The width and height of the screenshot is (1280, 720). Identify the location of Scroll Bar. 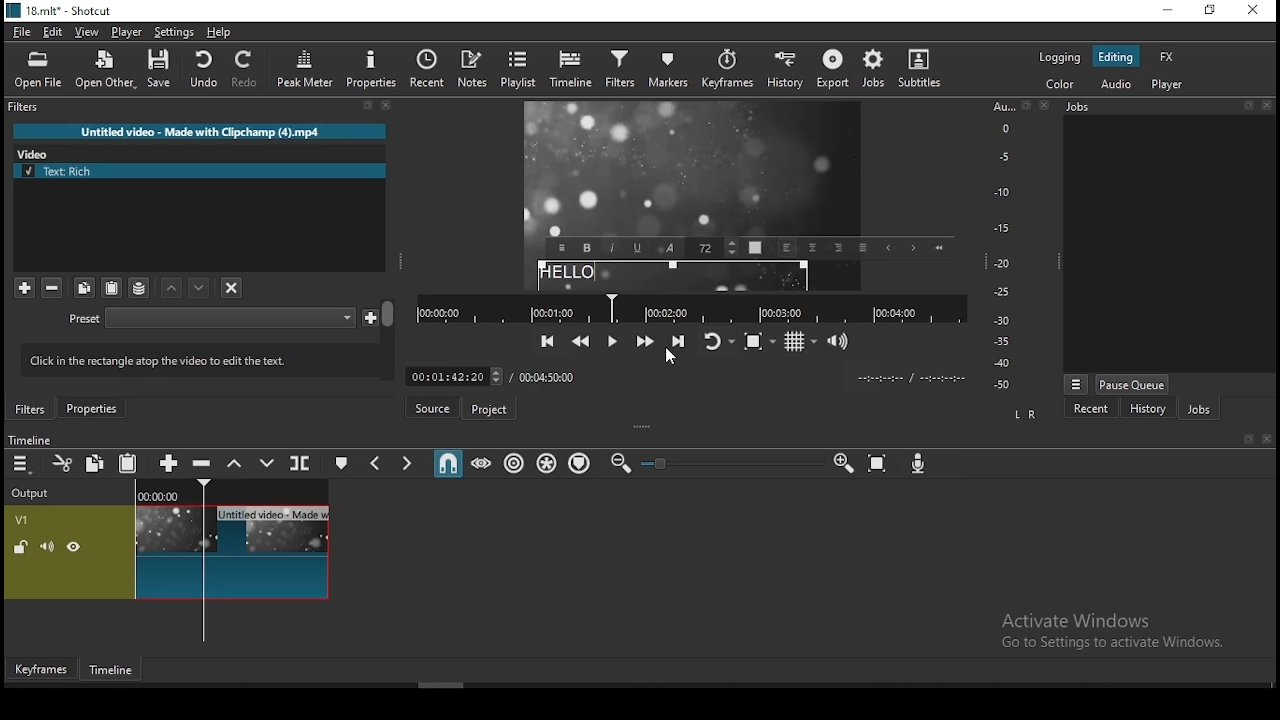
(389, 339).